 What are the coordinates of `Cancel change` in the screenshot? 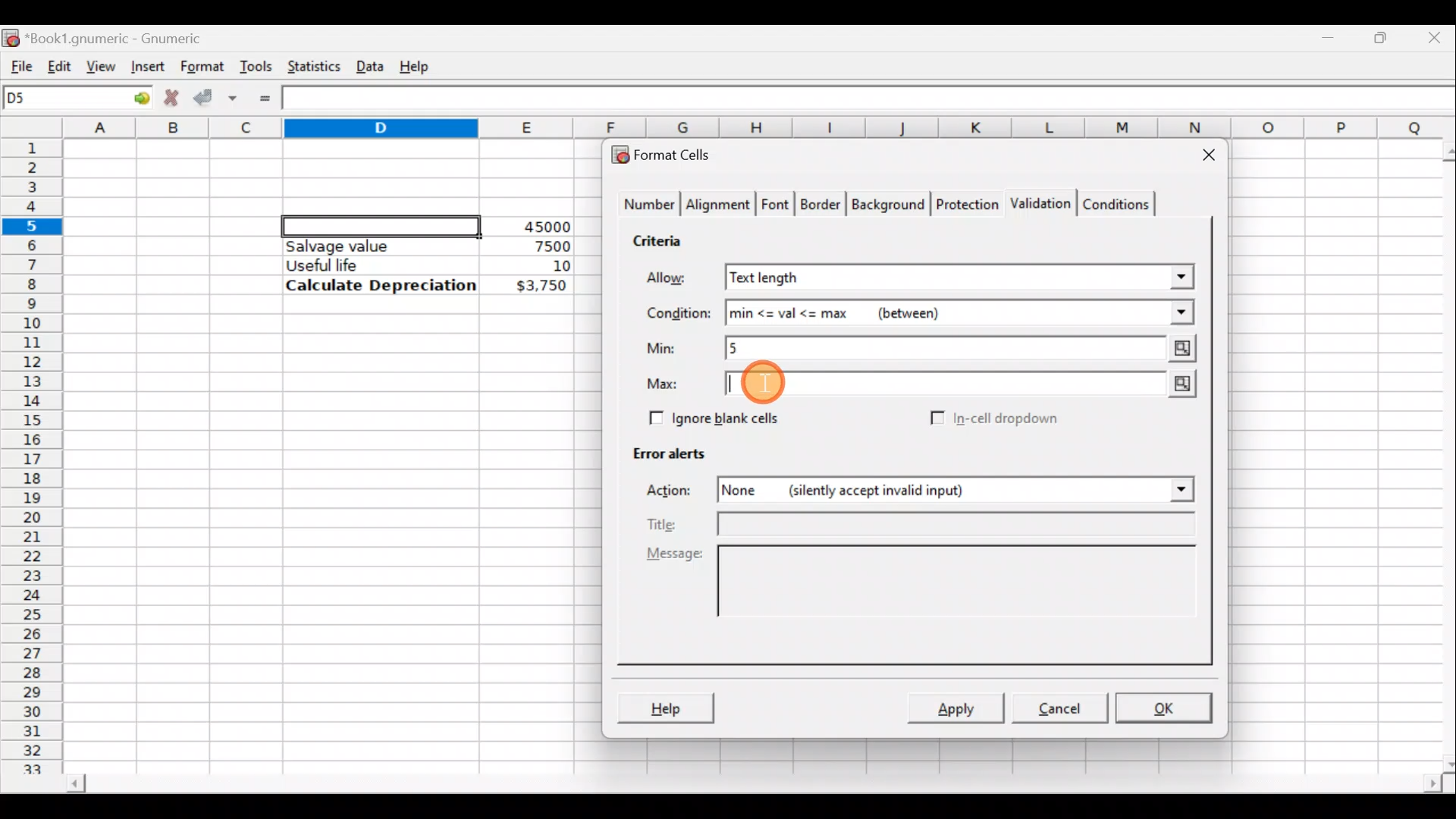 It's located at (170, 96).